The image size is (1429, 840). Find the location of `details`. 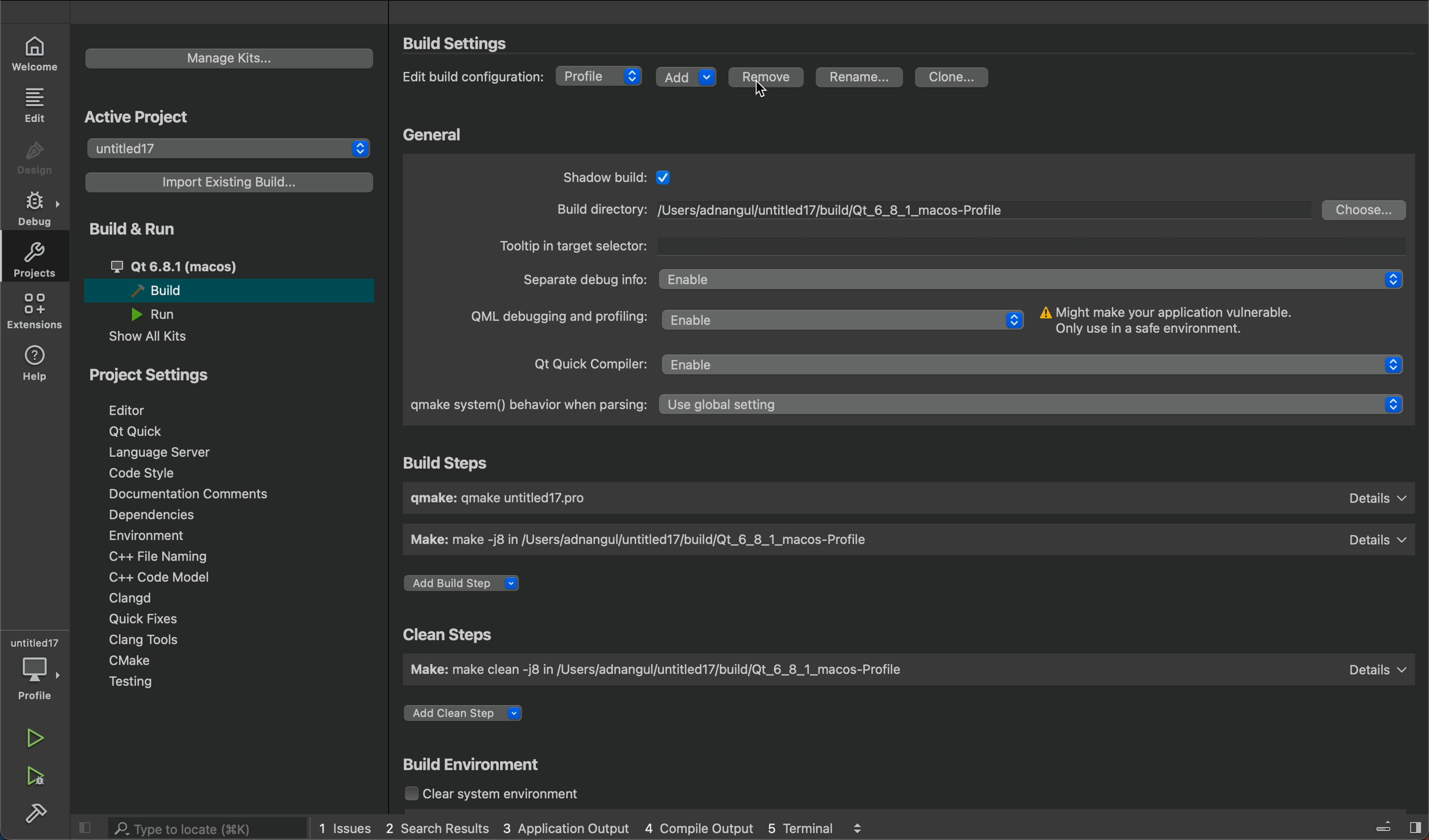

details is located at coordinates (1378, 540).